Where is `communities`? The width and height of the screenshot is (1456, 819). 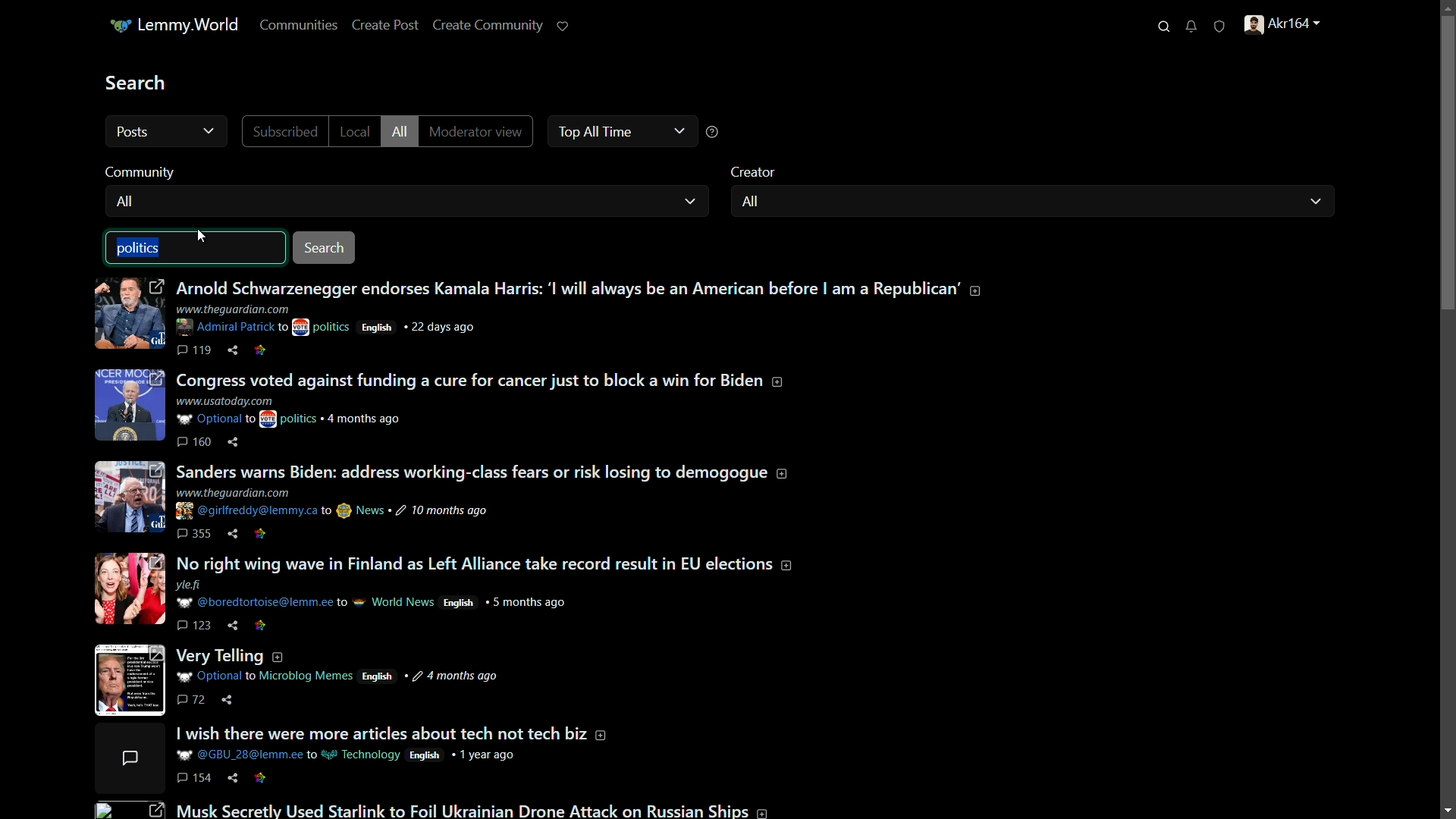 communities is located at coordinates (297, 26).